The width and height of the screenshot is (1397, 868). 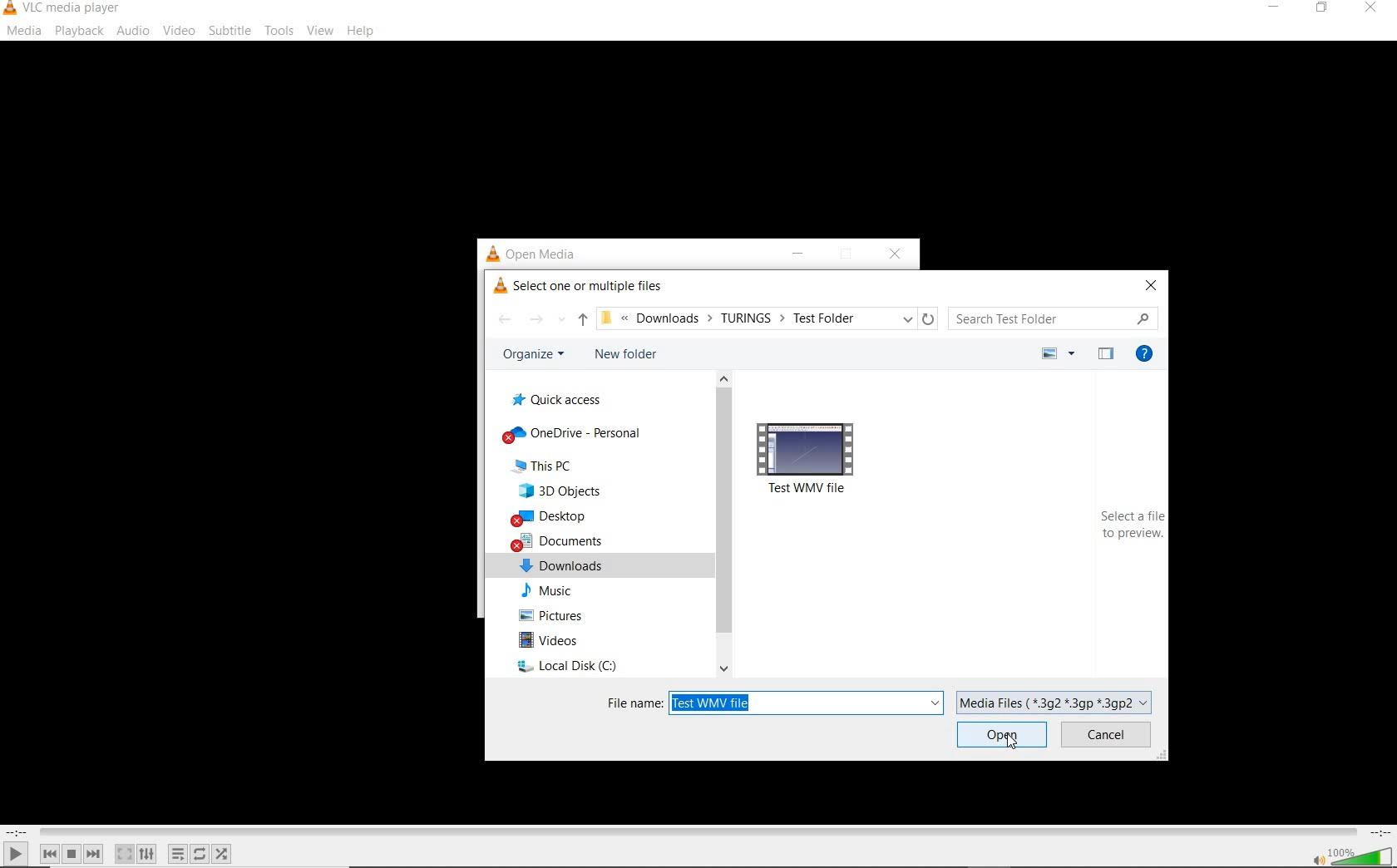 I want to click on mute/unmute, so click(x=1317, y=859).